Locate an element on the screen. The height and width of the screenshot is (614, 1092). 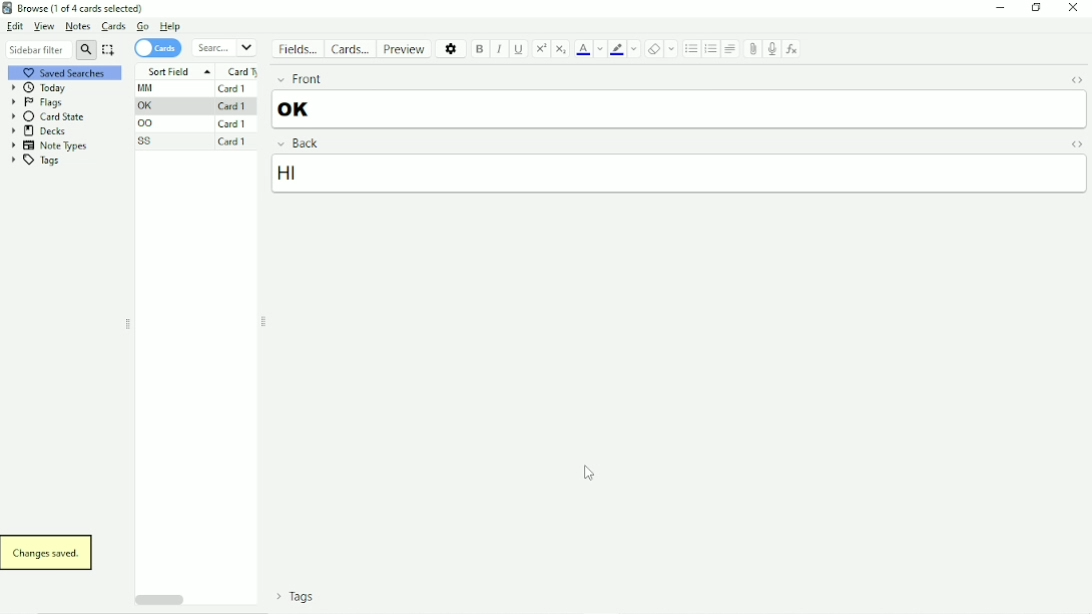
Unordered list is located at coordinates (691, 49).